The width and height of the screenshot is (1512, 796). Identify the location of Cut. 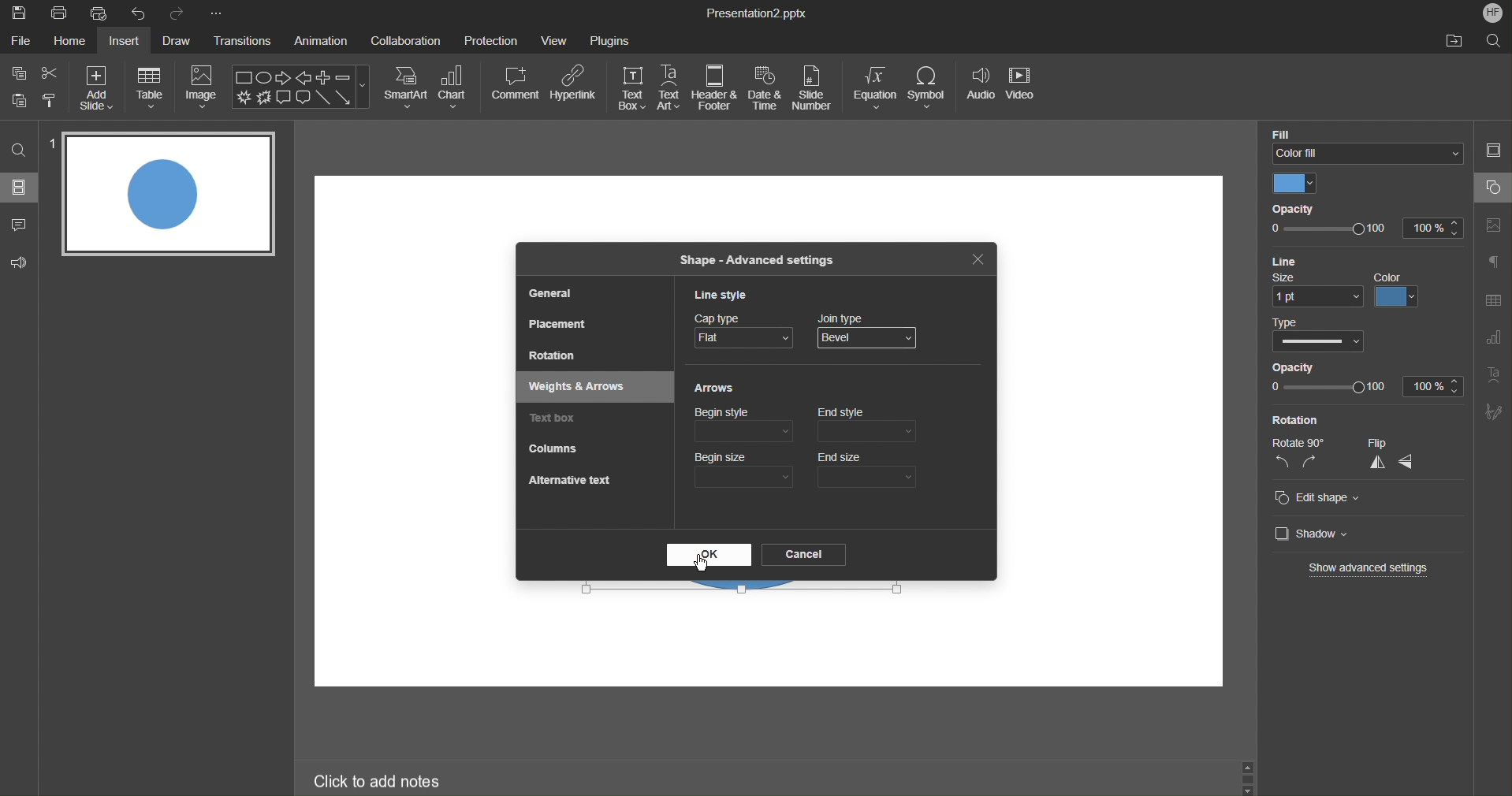
(51, 73).